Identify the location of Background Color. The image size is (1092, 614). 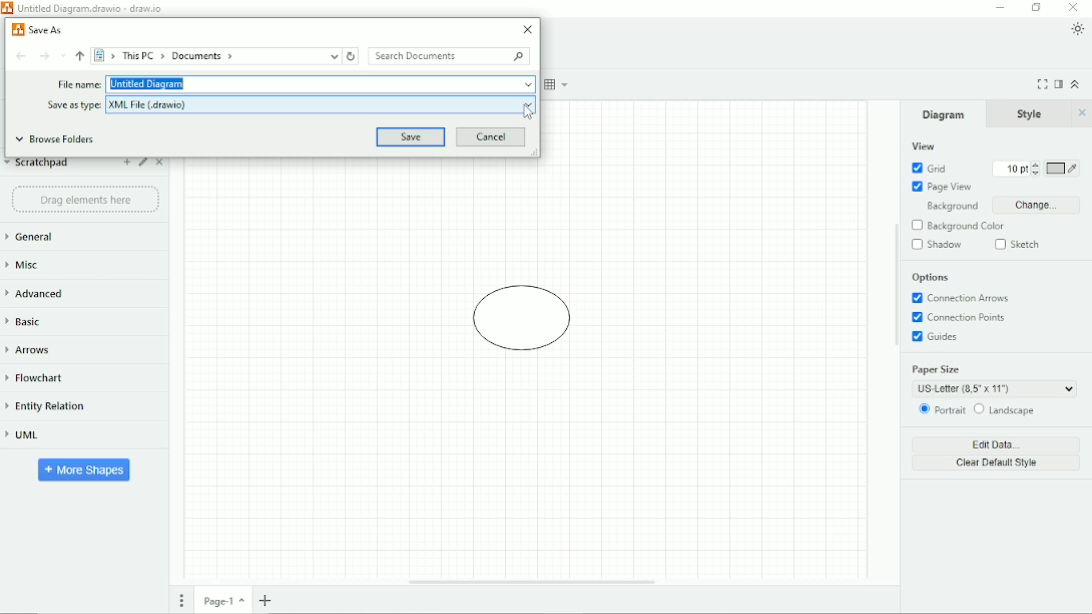
(957, 226).